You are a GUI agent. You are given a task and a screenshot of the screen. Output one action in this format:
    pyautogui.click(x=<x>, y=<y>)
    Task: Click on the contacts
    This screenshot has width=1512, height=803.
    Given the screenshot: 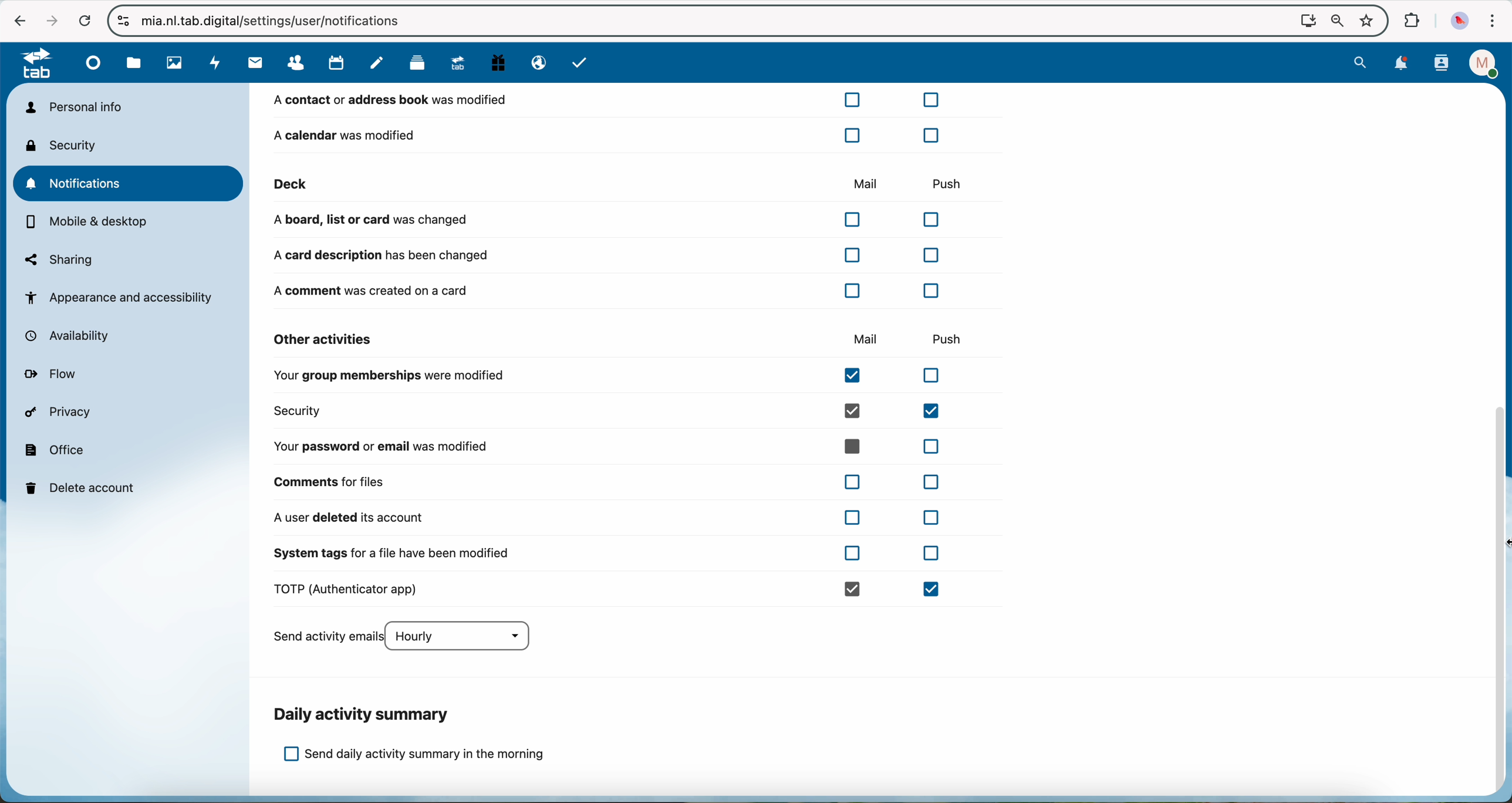 What is the action you would take?
    pyautogui.click(x=299, y=63)
    